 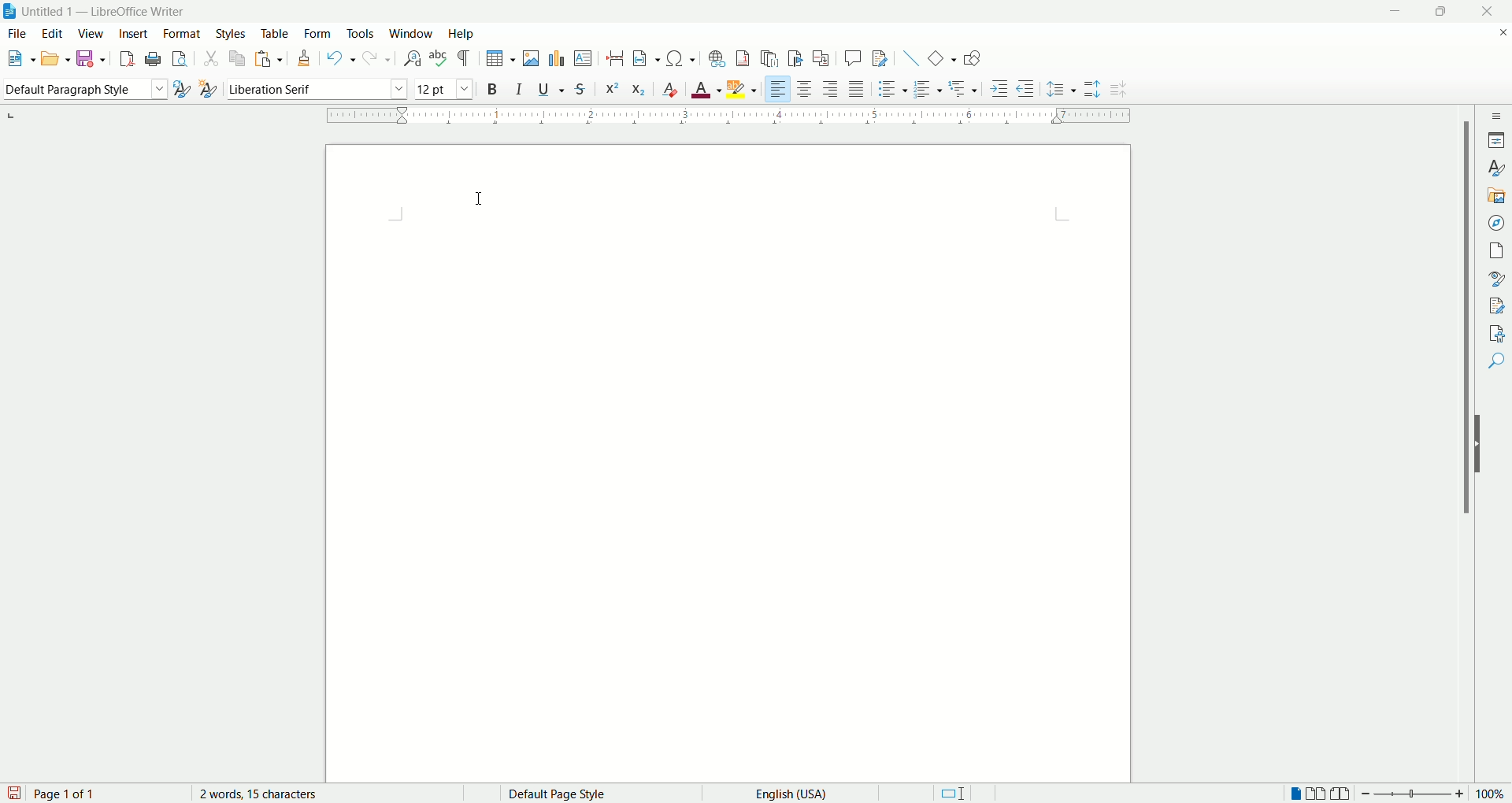 I want to click on style inspector, so click(x=1498, y=277).